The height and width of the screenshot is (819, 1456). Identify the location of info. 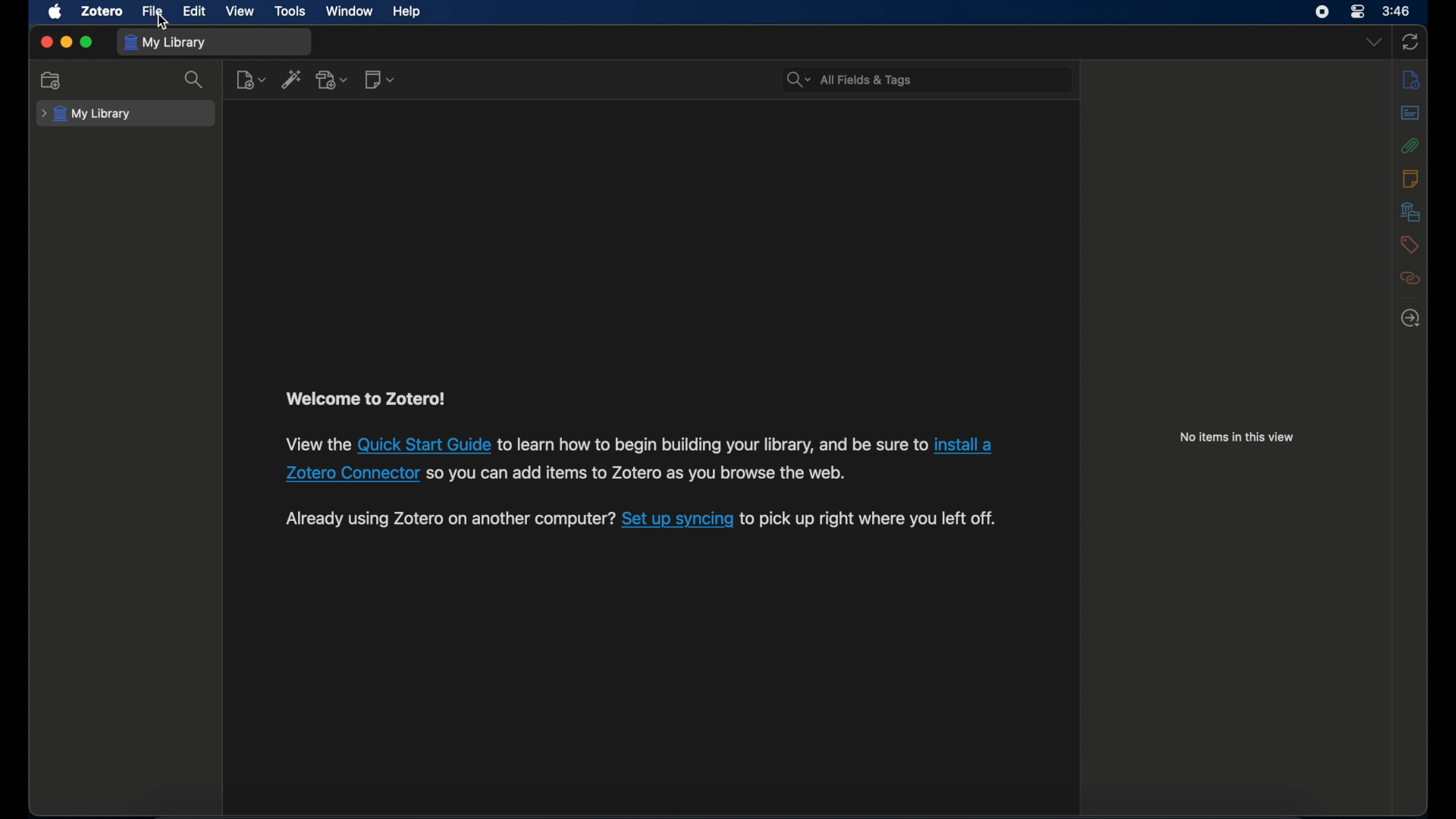
(1410, 79).